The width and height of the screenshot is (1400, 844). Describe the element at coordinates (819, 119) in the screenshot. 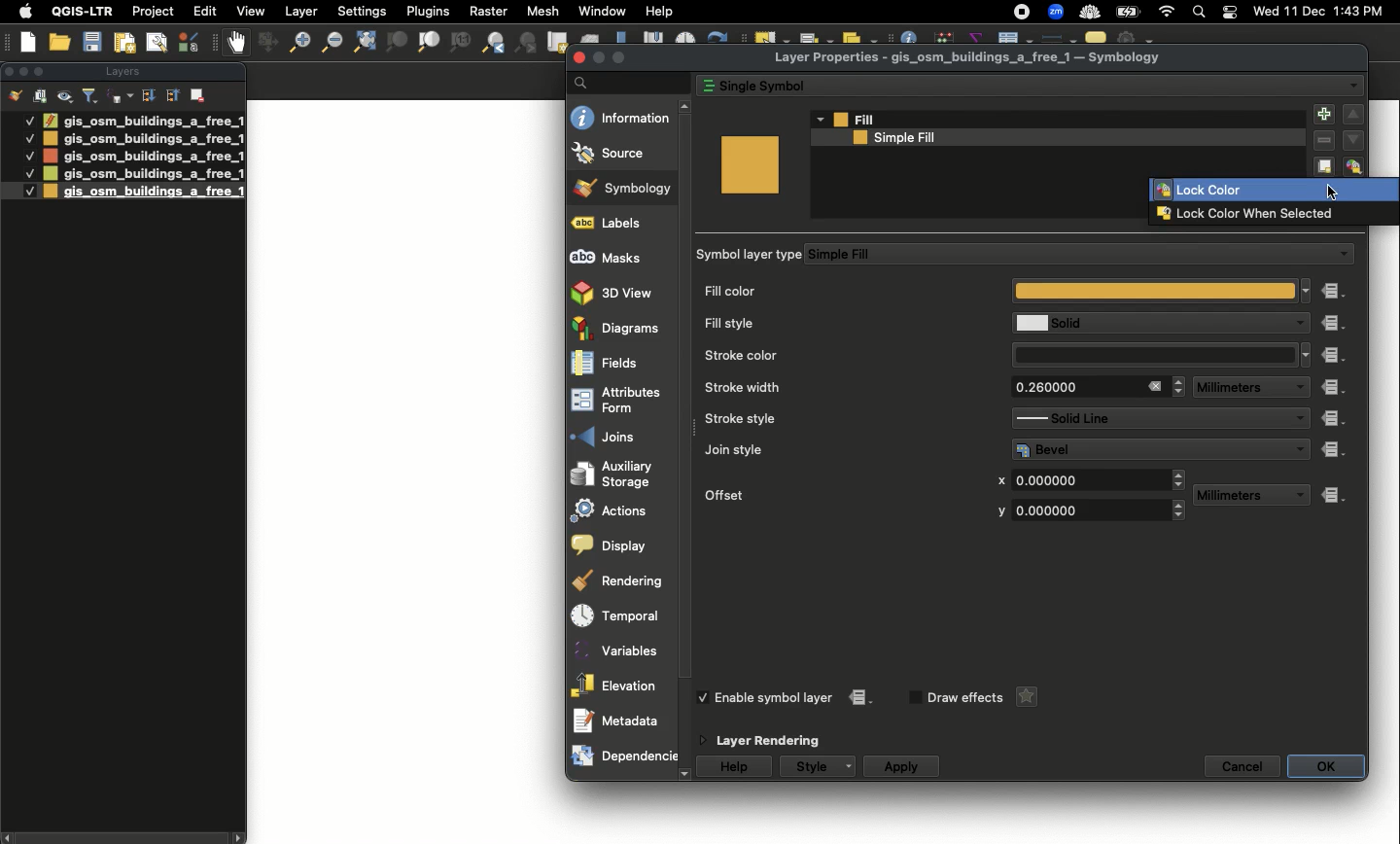

I see `Drop down` at that location.